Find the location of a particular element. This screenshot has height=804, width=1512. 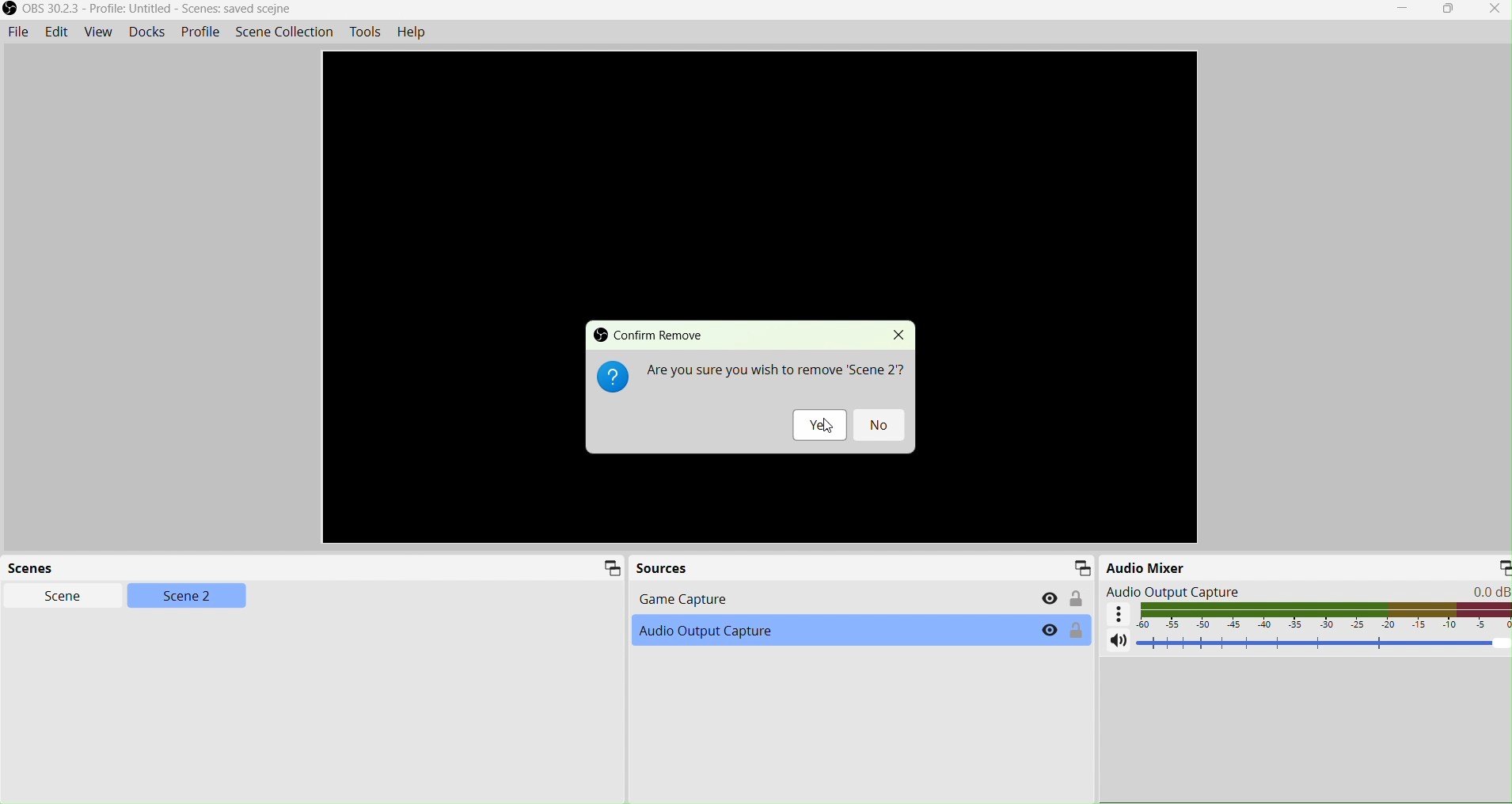

Cursor is located at coordinates (830, 425).